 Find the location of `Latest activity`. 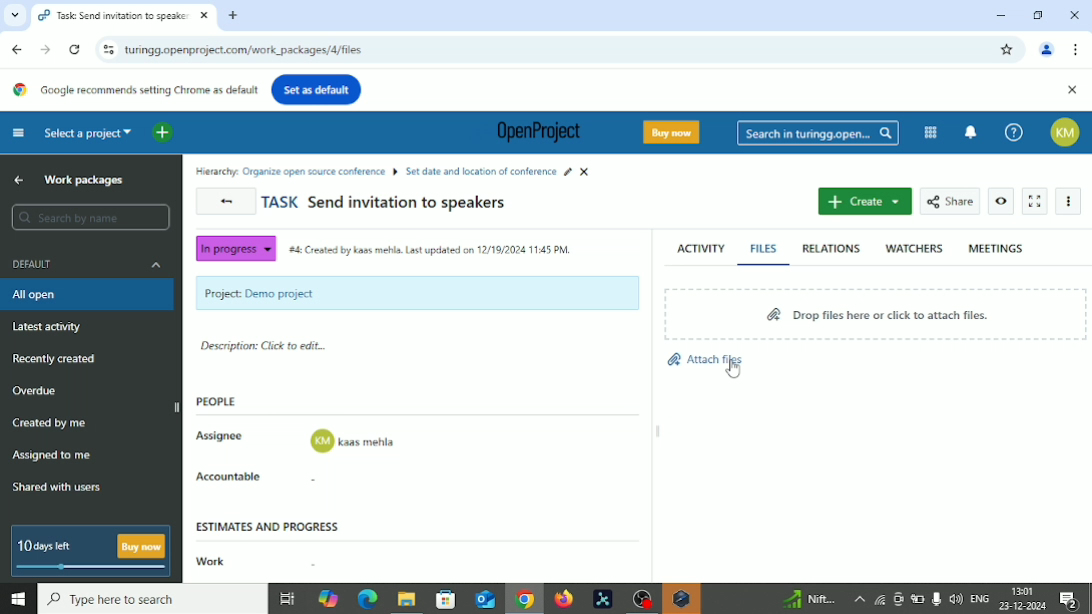

Latest activity is located at coordinates (48, 327).